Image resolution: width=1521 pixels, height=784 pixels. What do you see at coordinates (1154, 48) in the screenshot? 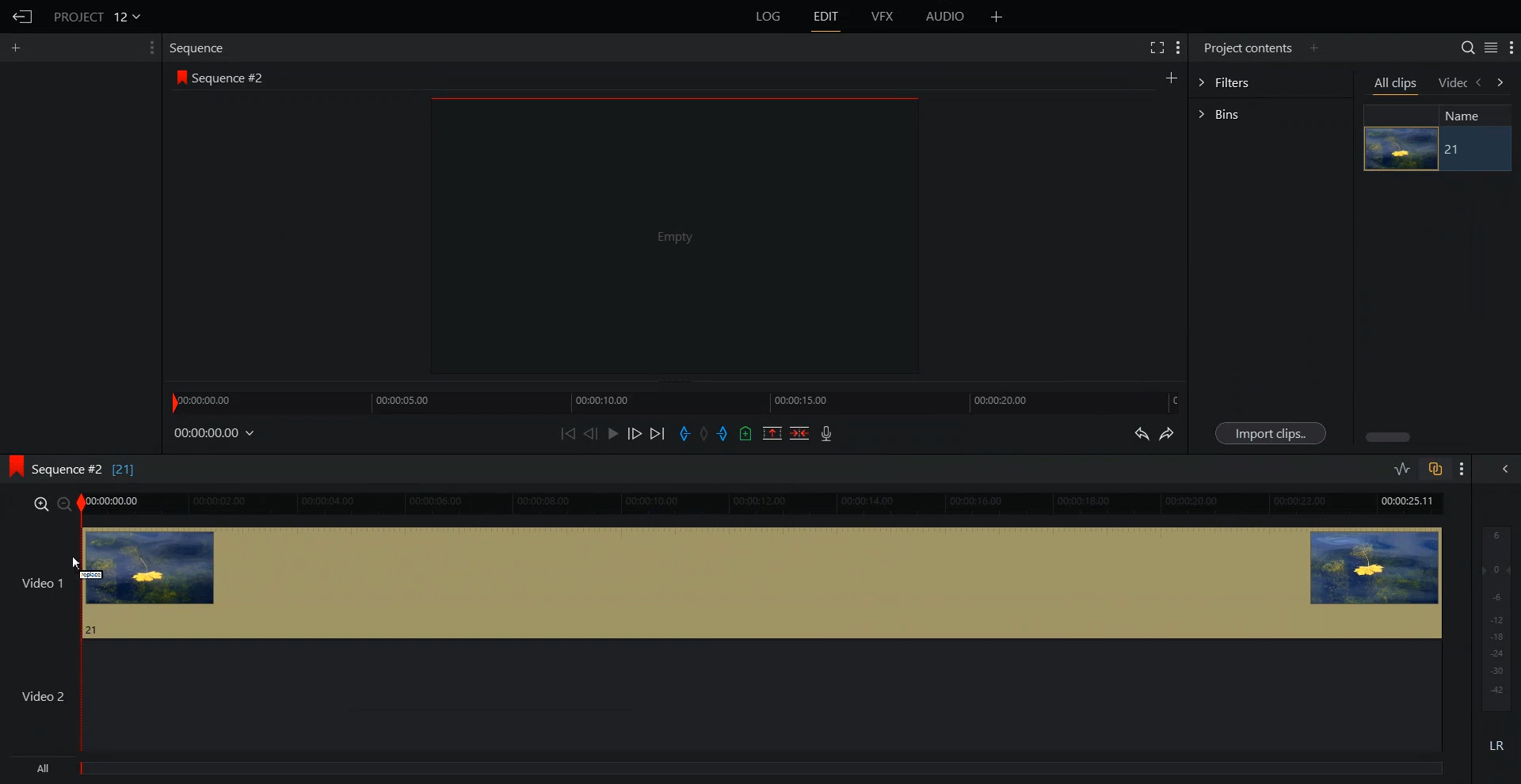
I see `Full screen` at bounding box center [1154, 48].